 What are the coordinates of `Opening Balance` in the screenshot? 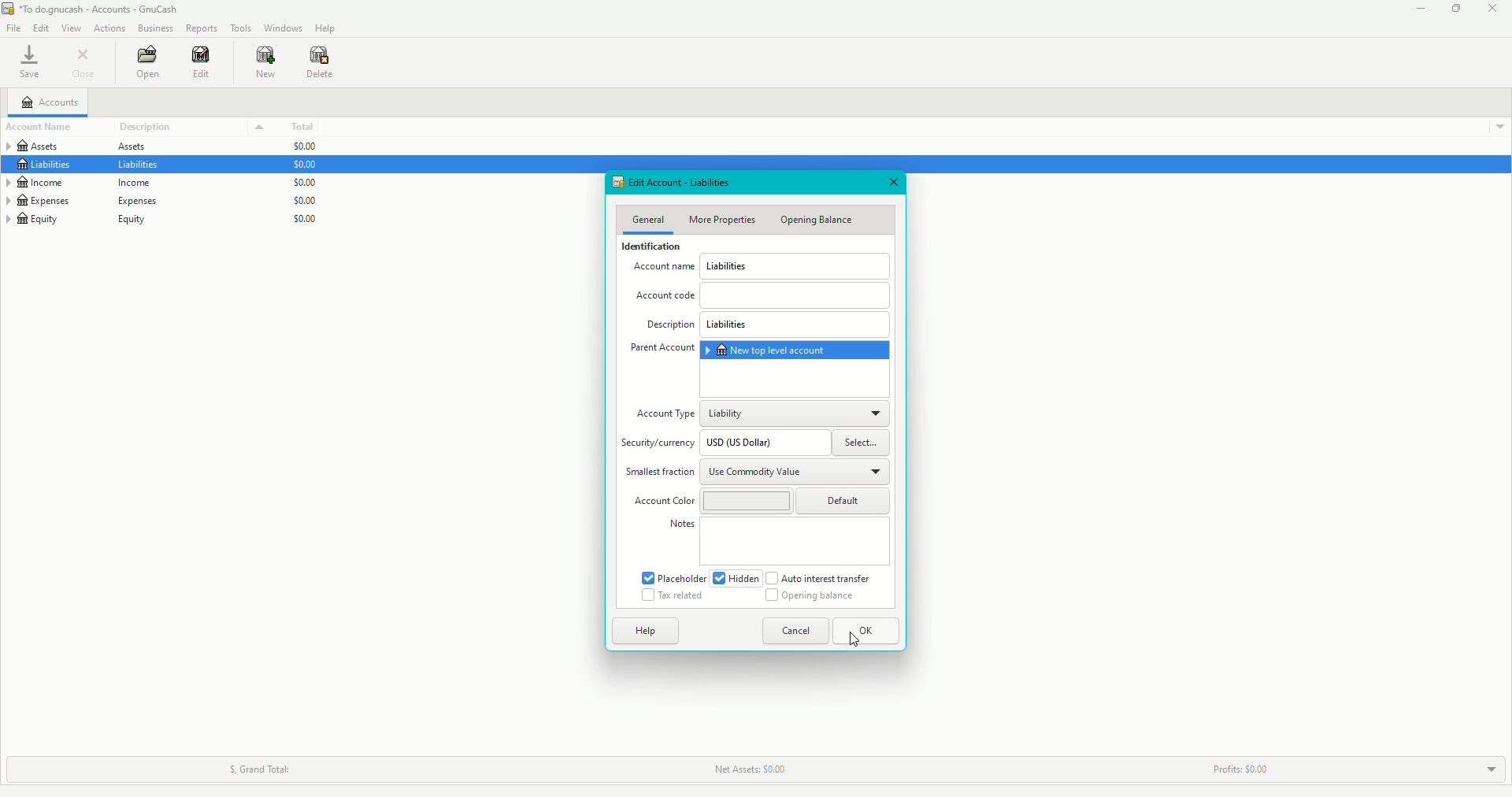 It's located at (816, 599).